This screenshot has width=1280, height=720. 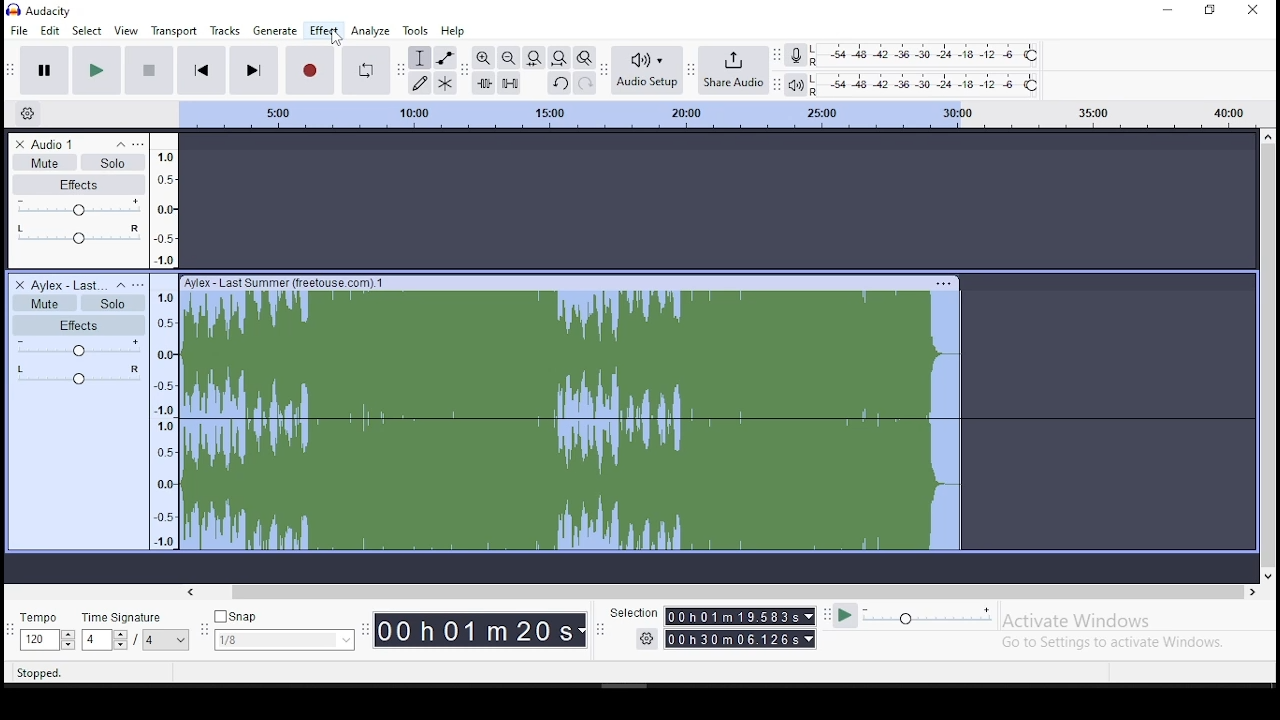 What do you see at coordinates (446, 84) in the screenshot?
I see `multi tool` at bounding box center [446, 84].